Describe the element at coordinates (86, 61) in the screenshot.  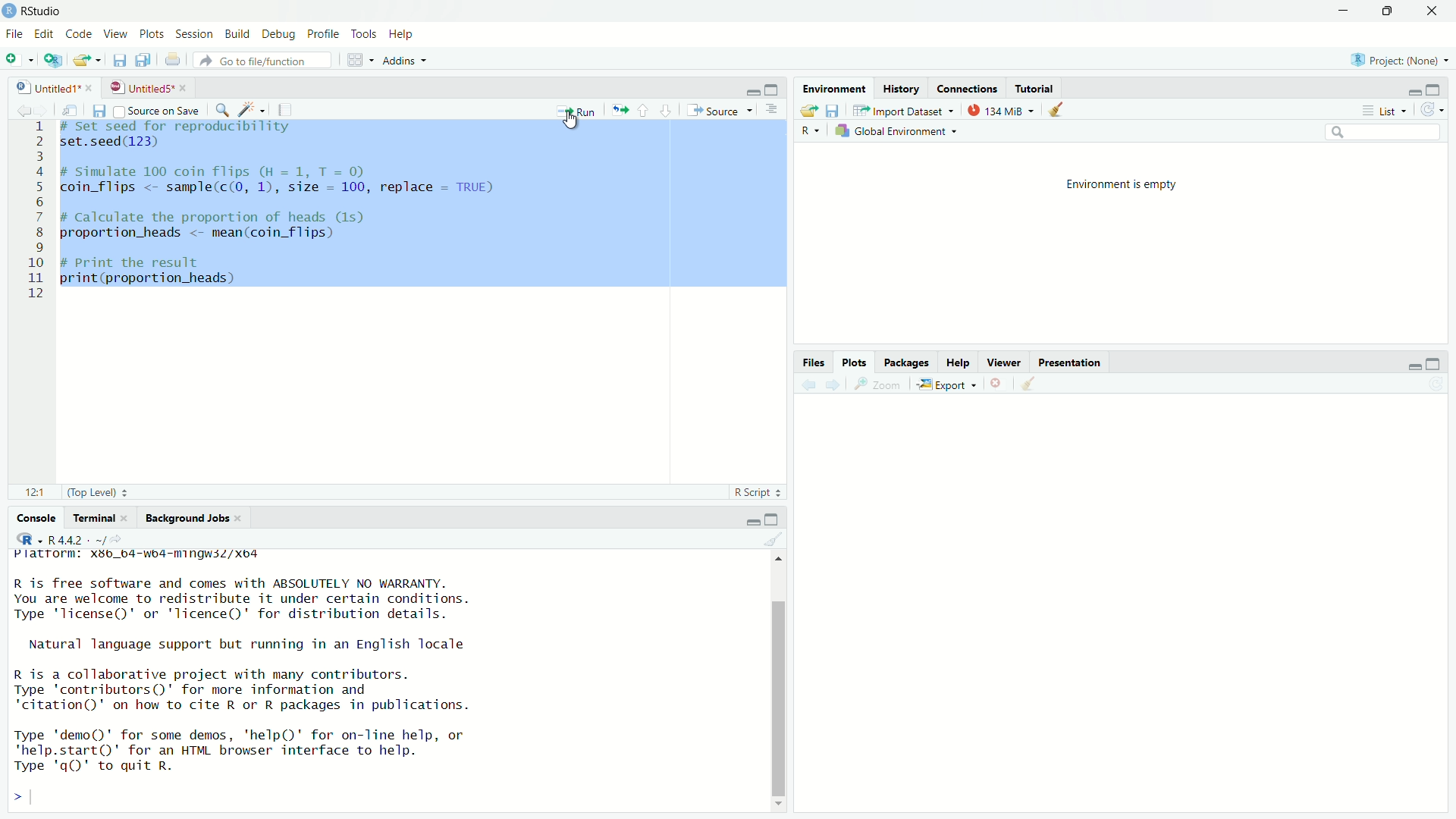
I see `open an existing file` at that location.